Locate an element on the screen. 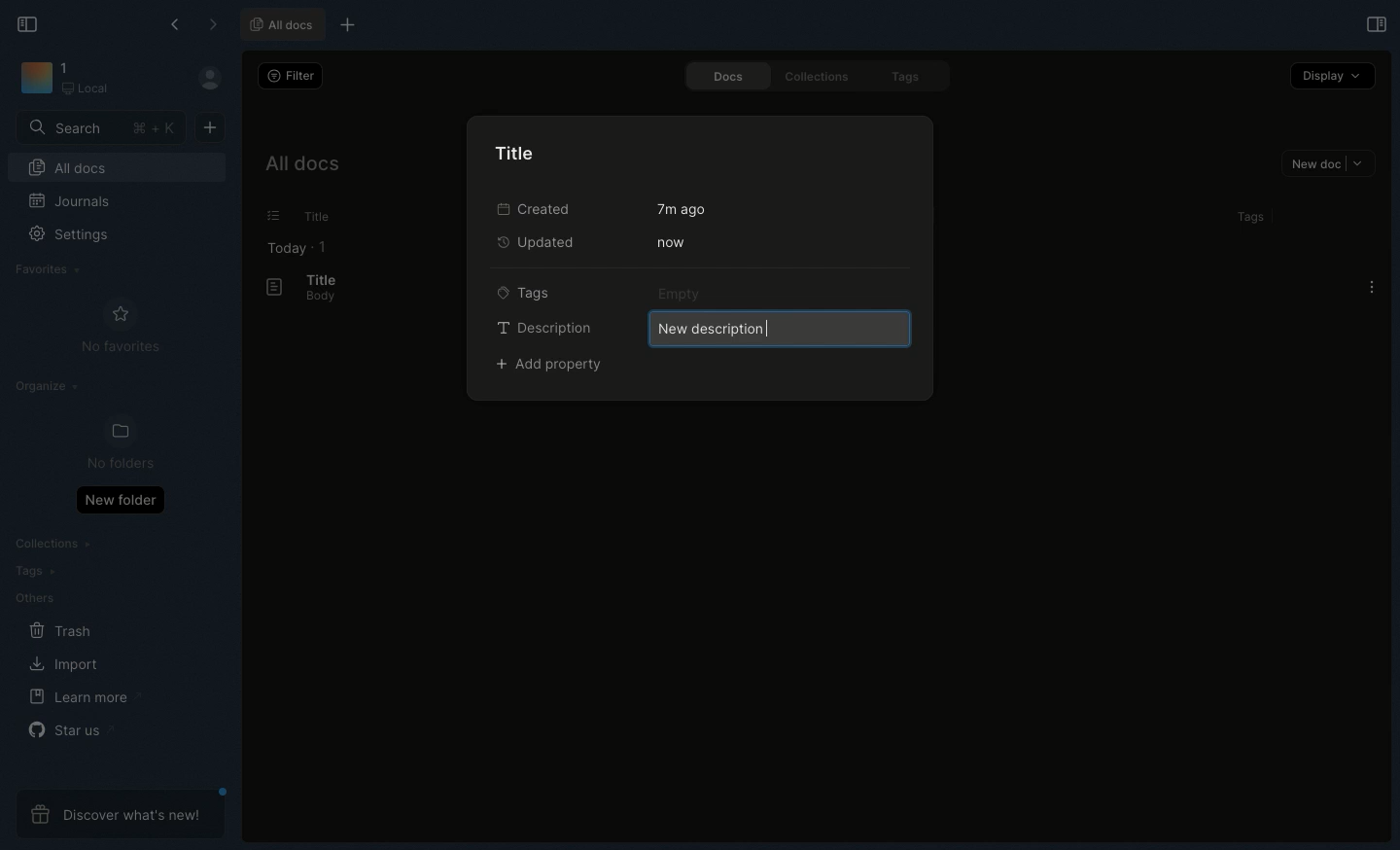  Empty is located at coordinates (682, 293).